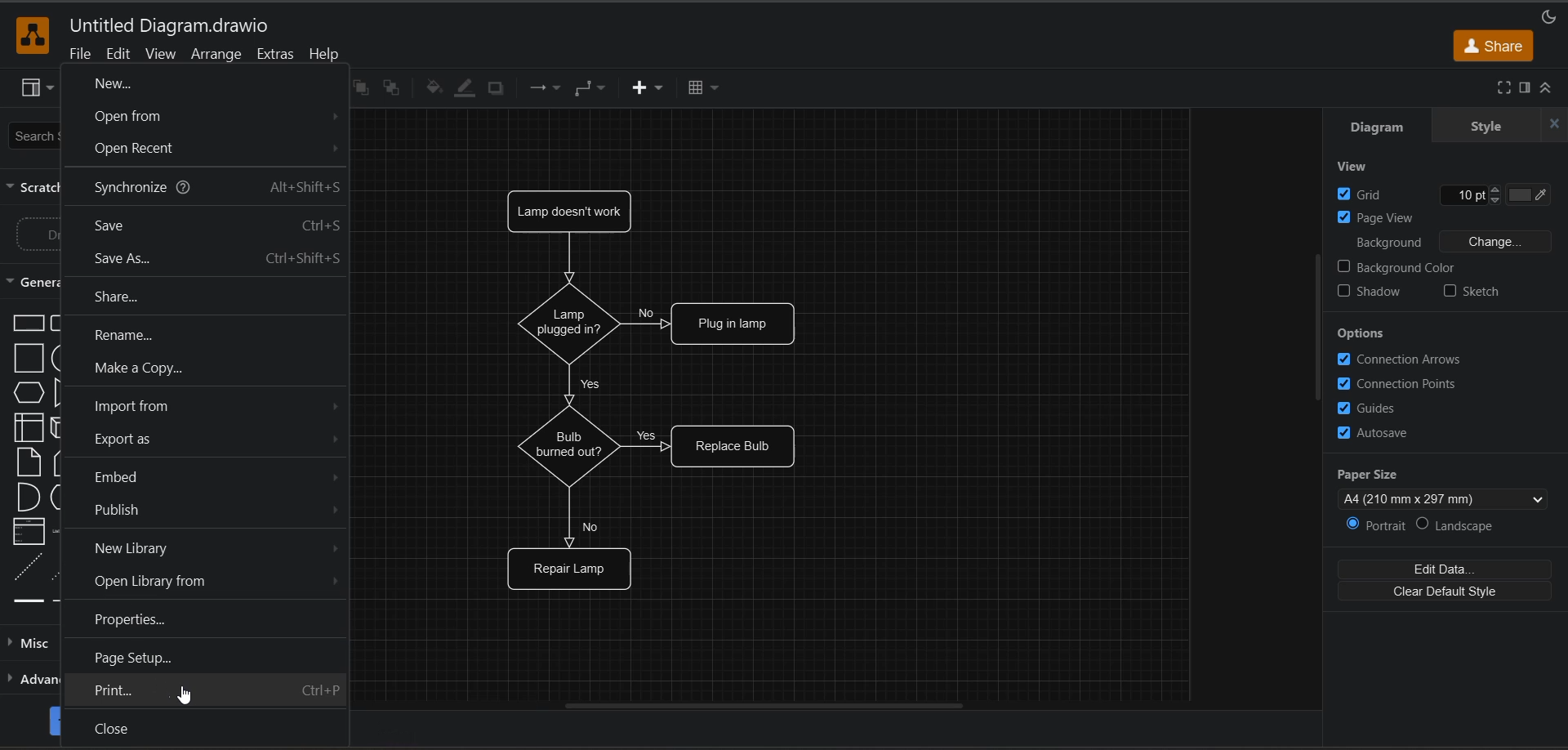 Image resolution: width=1568 pixels, height=750 pixels. Describe the element at coordinates (37, 88) in the screenshot. I see `view` at that location.